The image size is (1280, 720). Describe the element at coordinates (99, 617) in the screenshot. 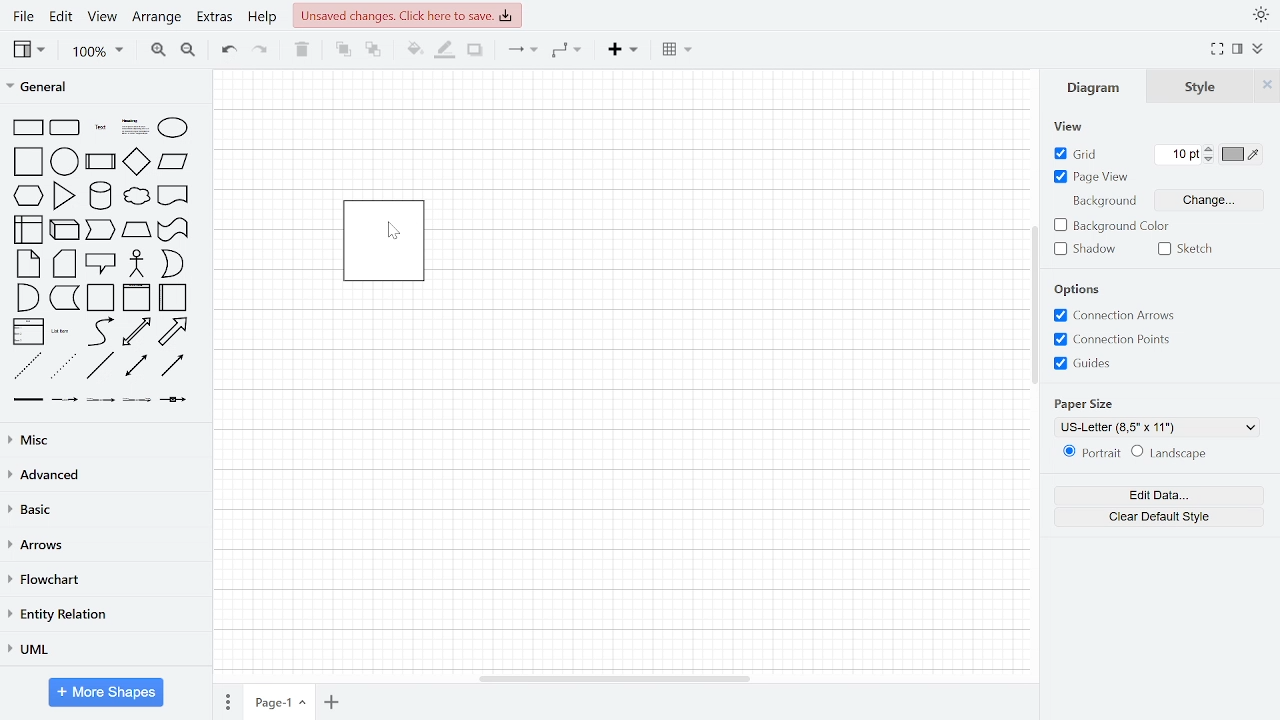

I see `entity relation` at that location.